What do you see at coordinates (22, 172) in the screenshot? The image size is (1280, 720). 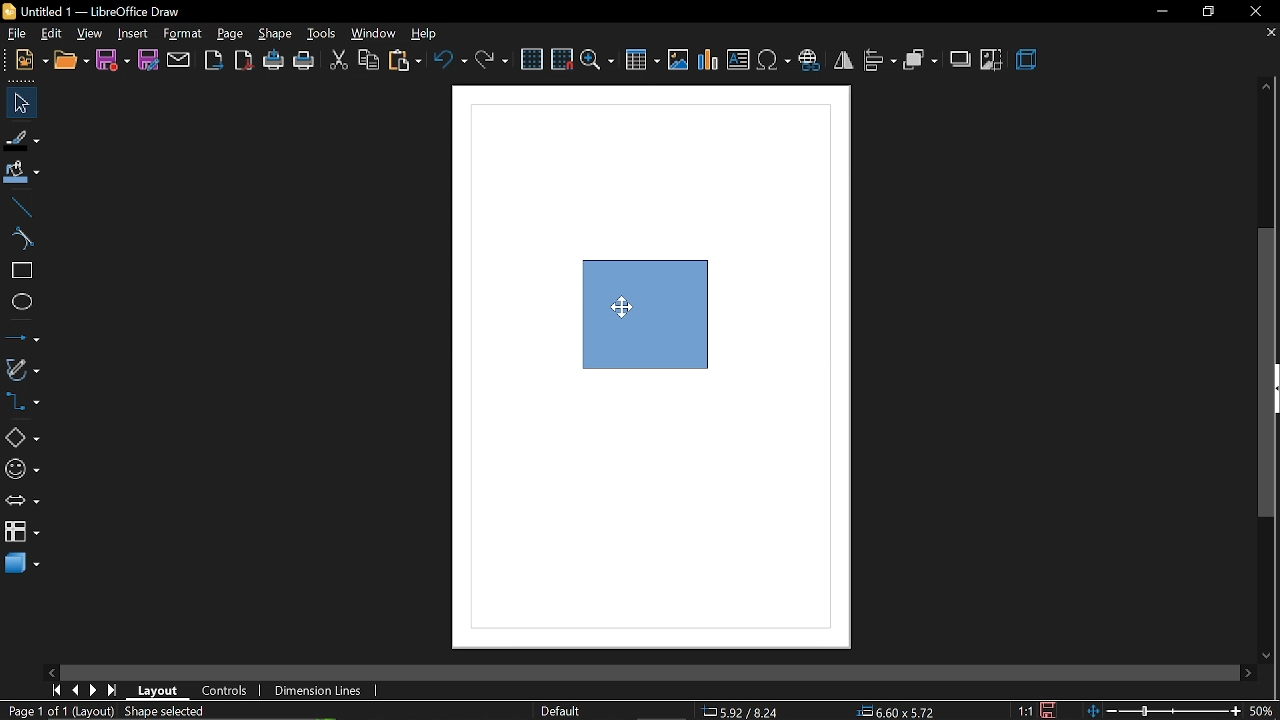 I see `fill color` at bounding box center [22, 172].